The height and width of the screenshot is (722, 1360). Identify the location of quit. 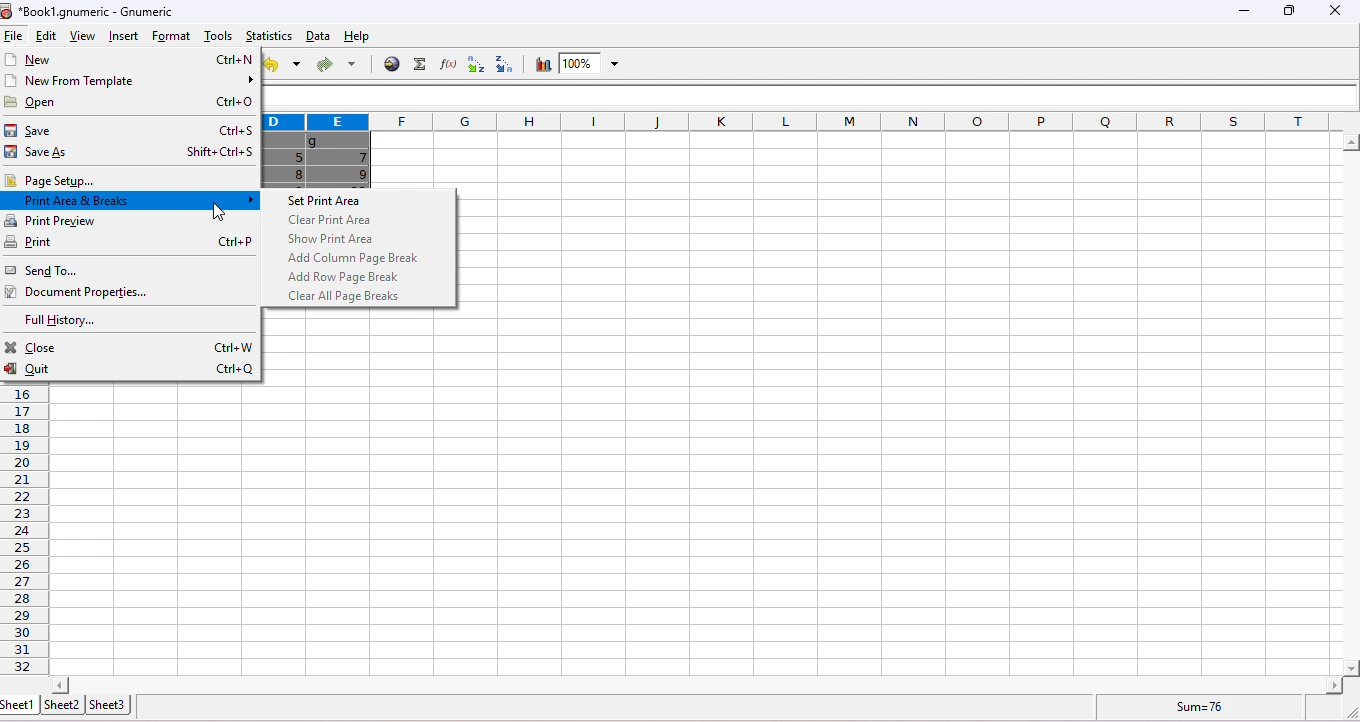
(131, 371).